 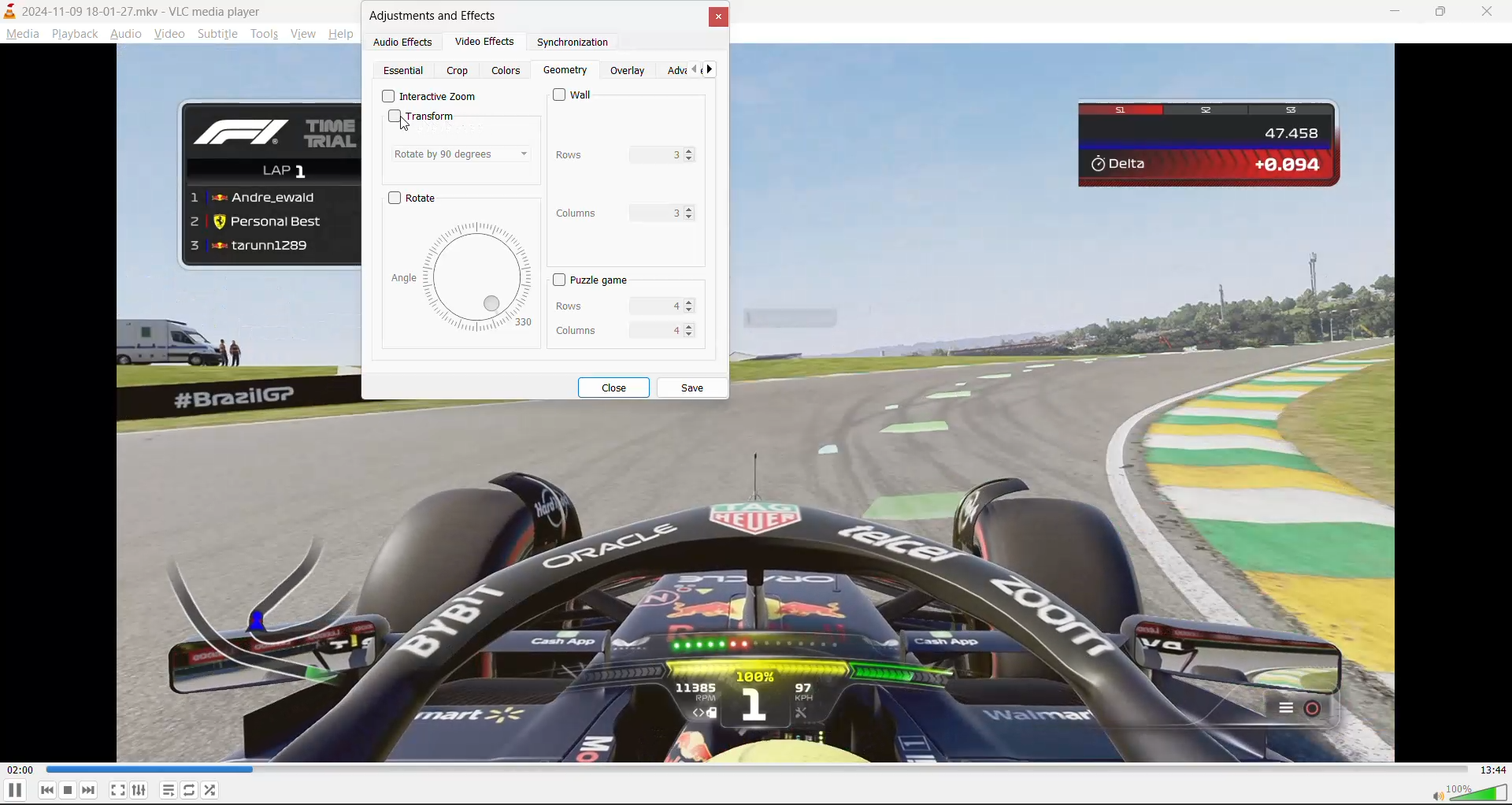 What do you see at coordinates (409, 124) in the screenshot?
I see `cursor` at bounding box center [409, 124].